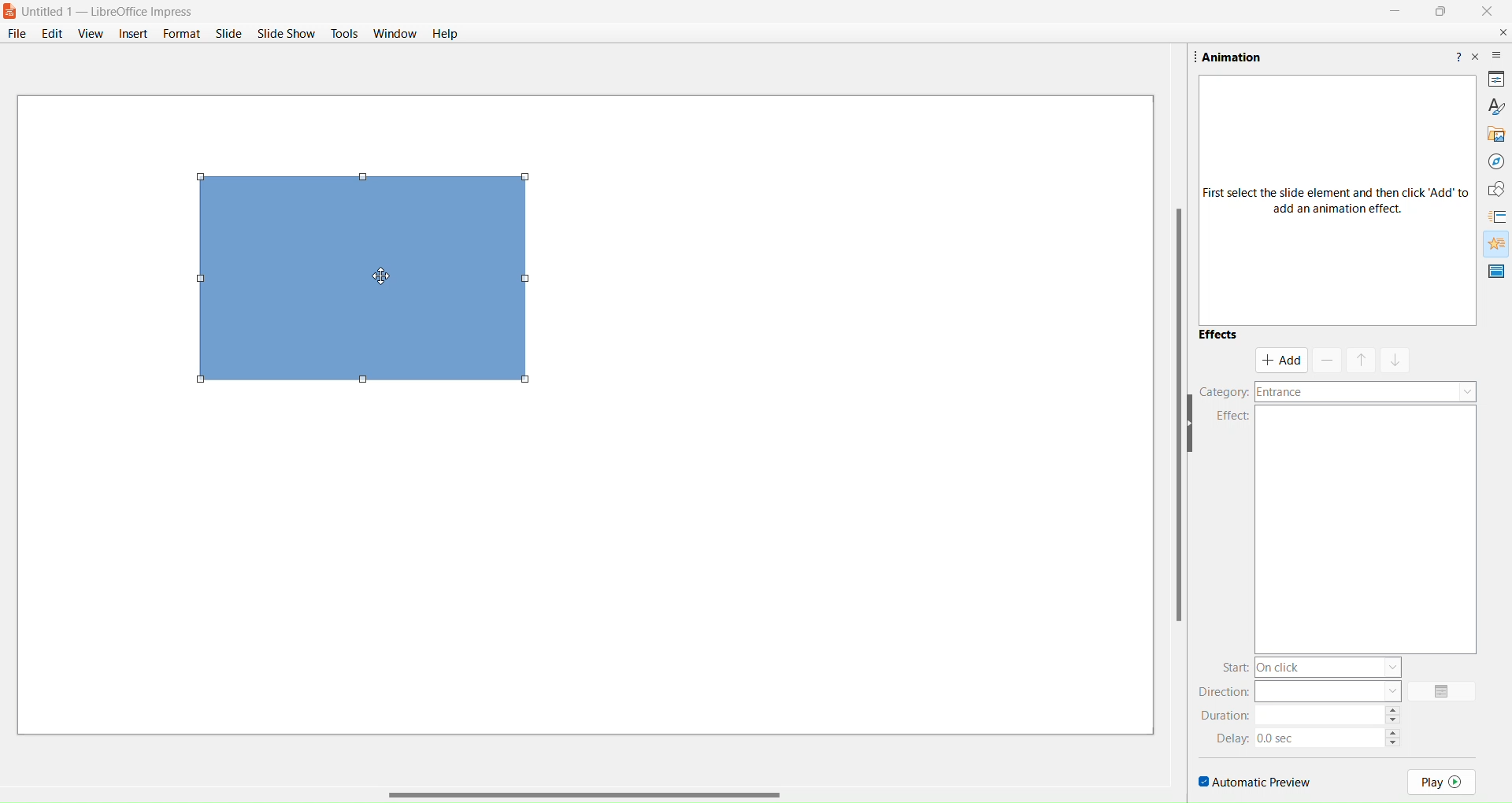  What do you see at coordinates (1493, 134) in the screenshot?
I see `gallery` at bounding box center [1493, 134].